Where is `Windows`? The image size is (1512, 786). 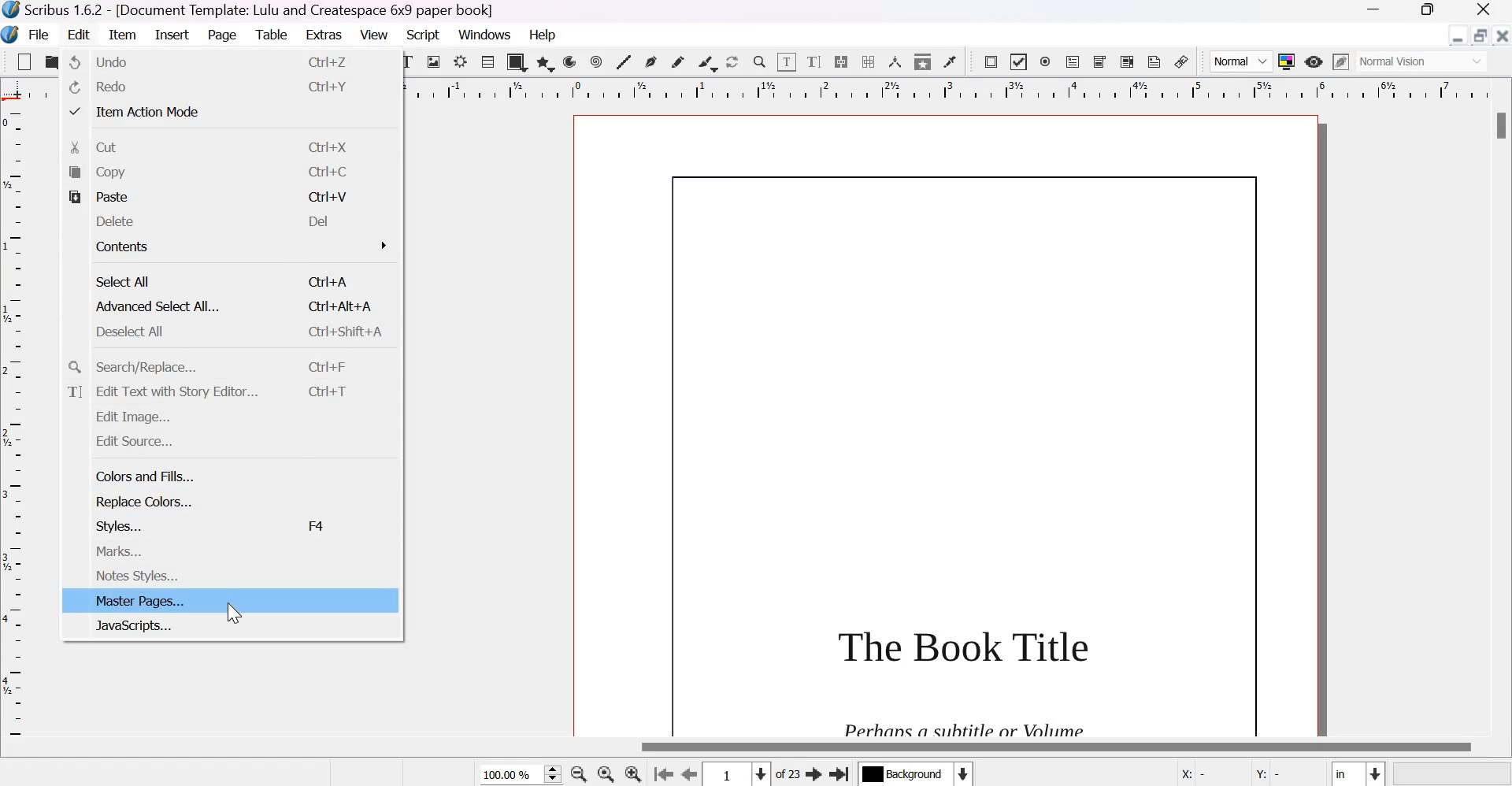
Windows is located at coordinates (486, 33).